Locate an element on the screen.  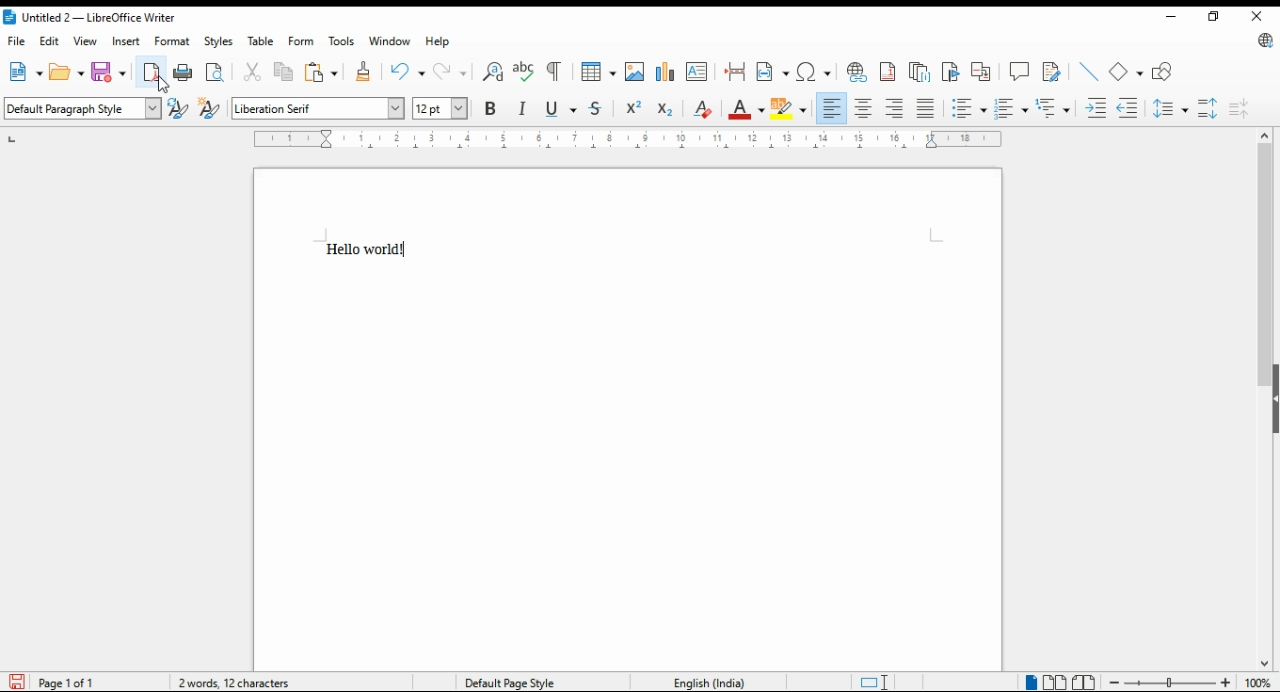
align right is located at coordinates (896, 110).